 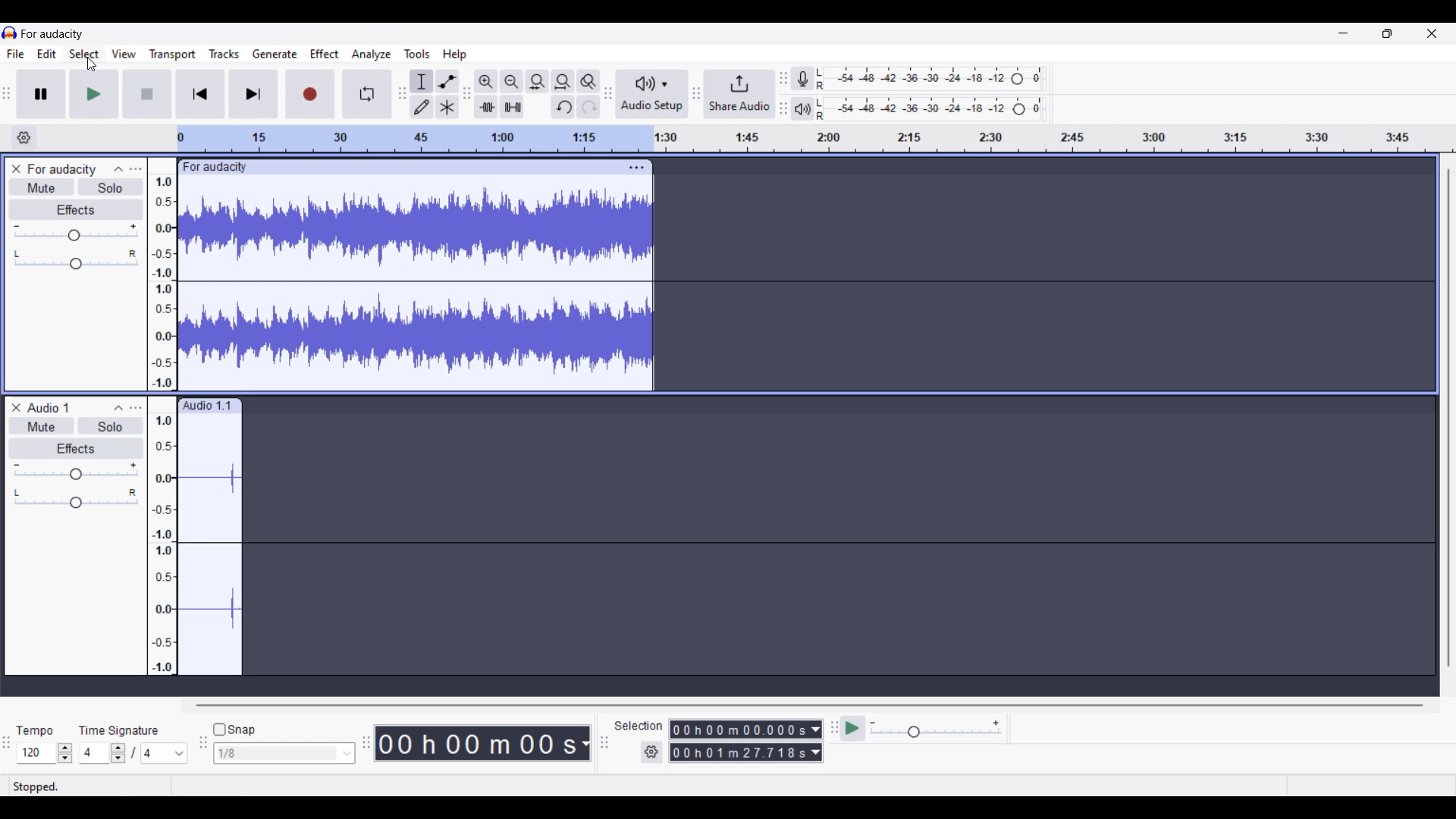 I want to click on For audacity, so click(x=61, y=169).